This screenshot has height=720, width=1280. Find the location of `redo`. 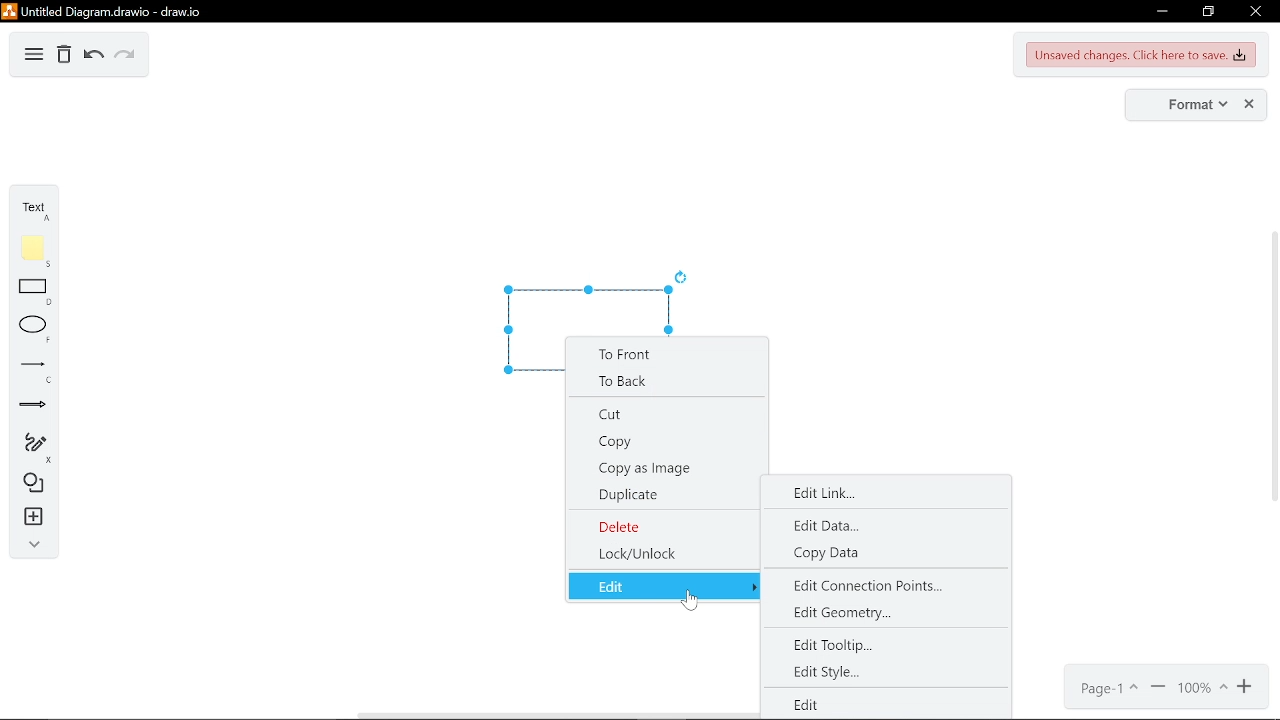

redo is located at coordinates (125, 57).